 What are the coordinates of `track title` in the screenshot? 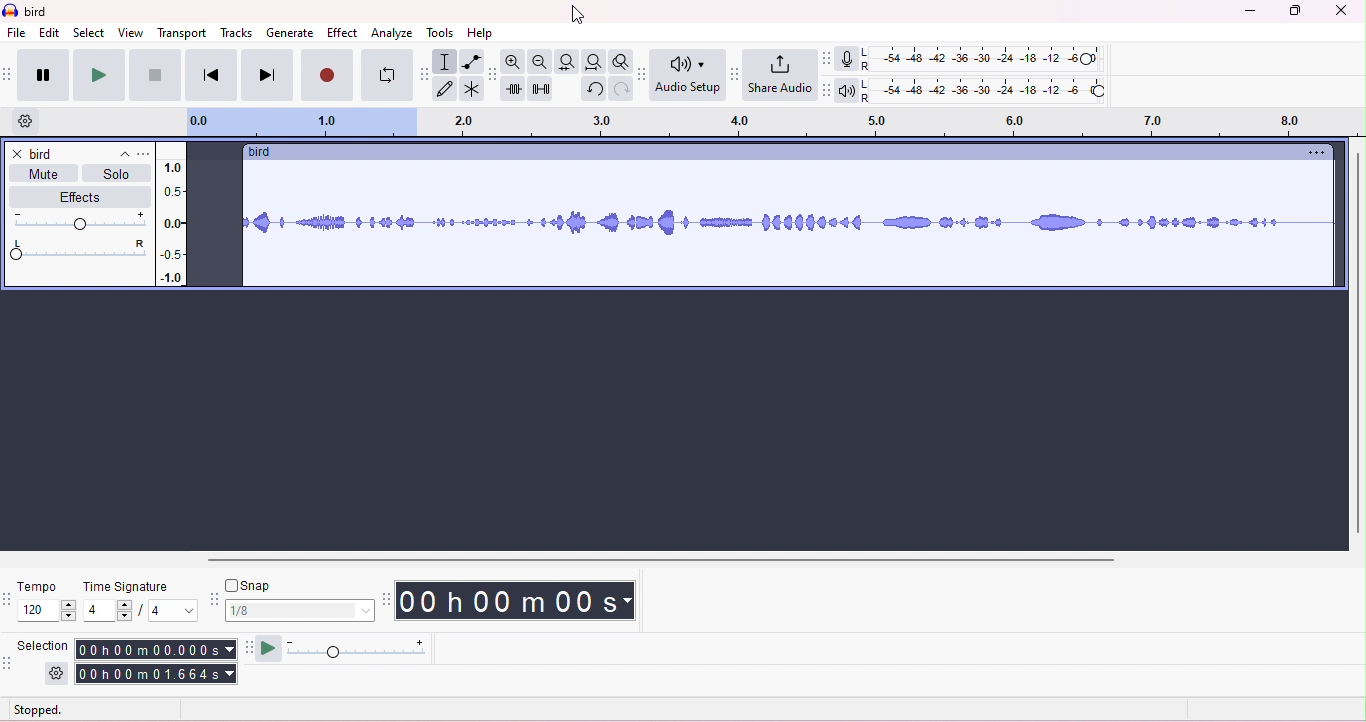 It's located at (260, 153).